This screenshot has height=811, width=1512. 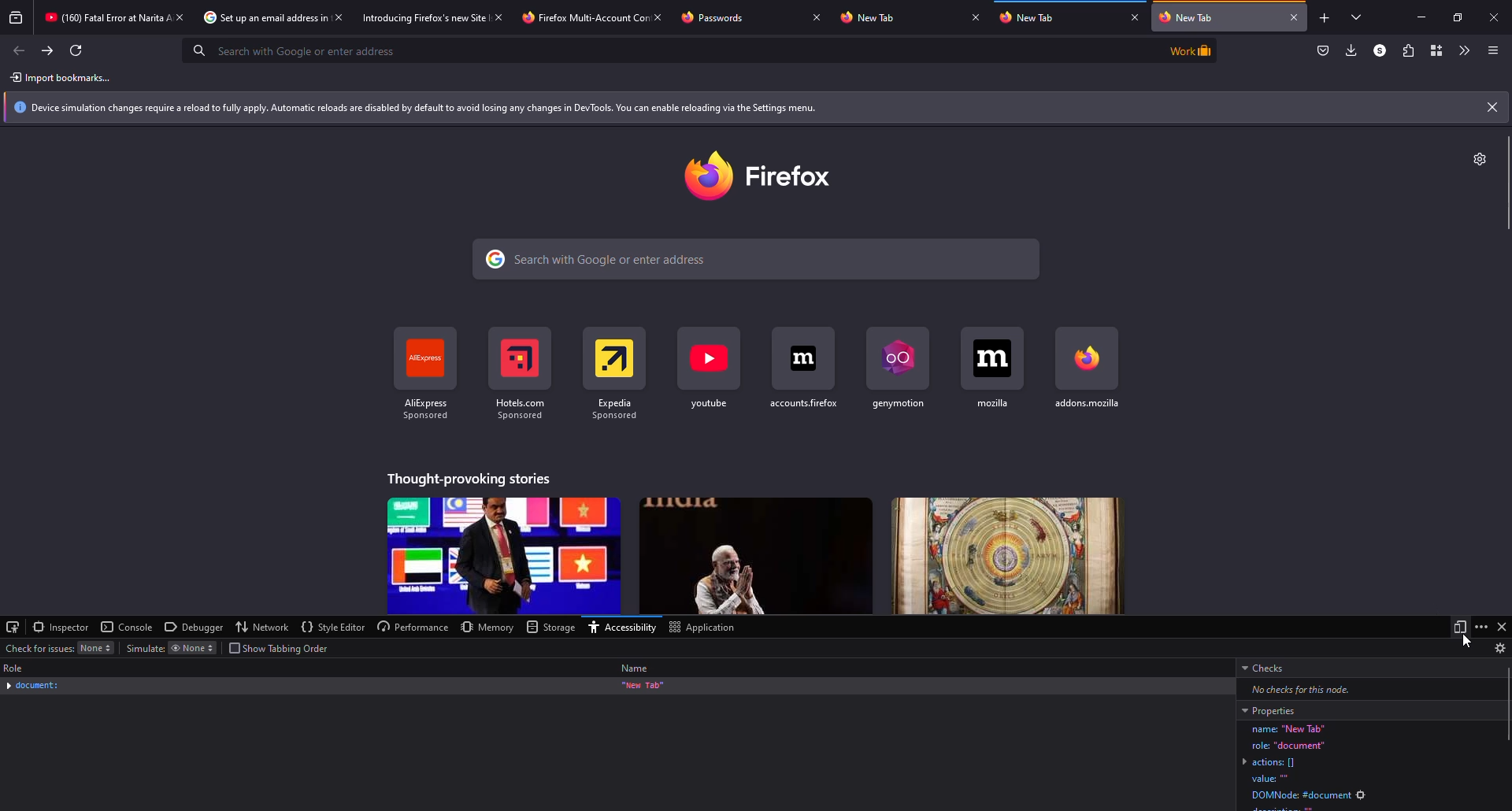 I want to click on settings, so click(x=1480, y=159).